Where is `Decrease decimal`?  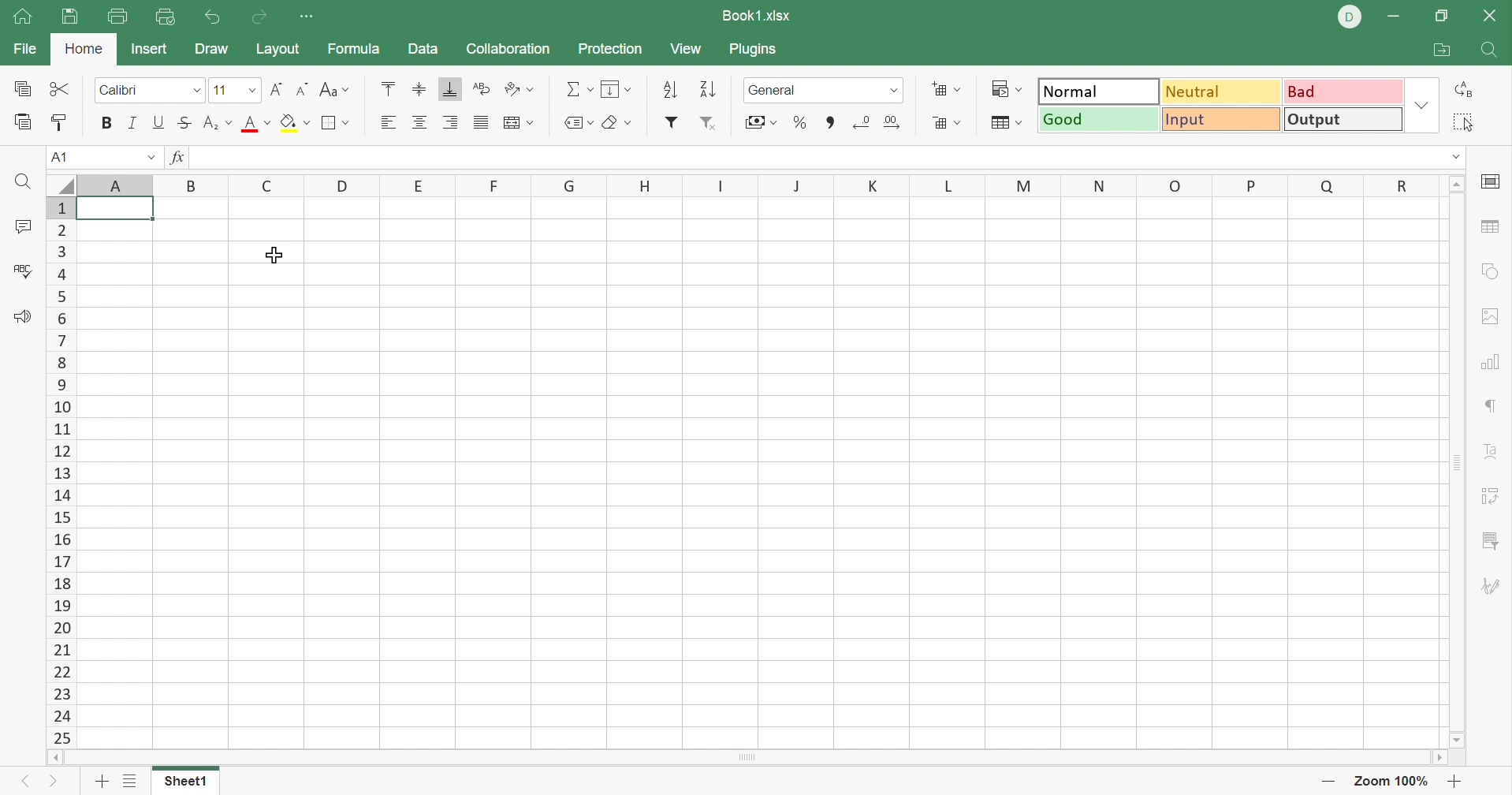 Decrease decimal is located at coordinates (863, 124).